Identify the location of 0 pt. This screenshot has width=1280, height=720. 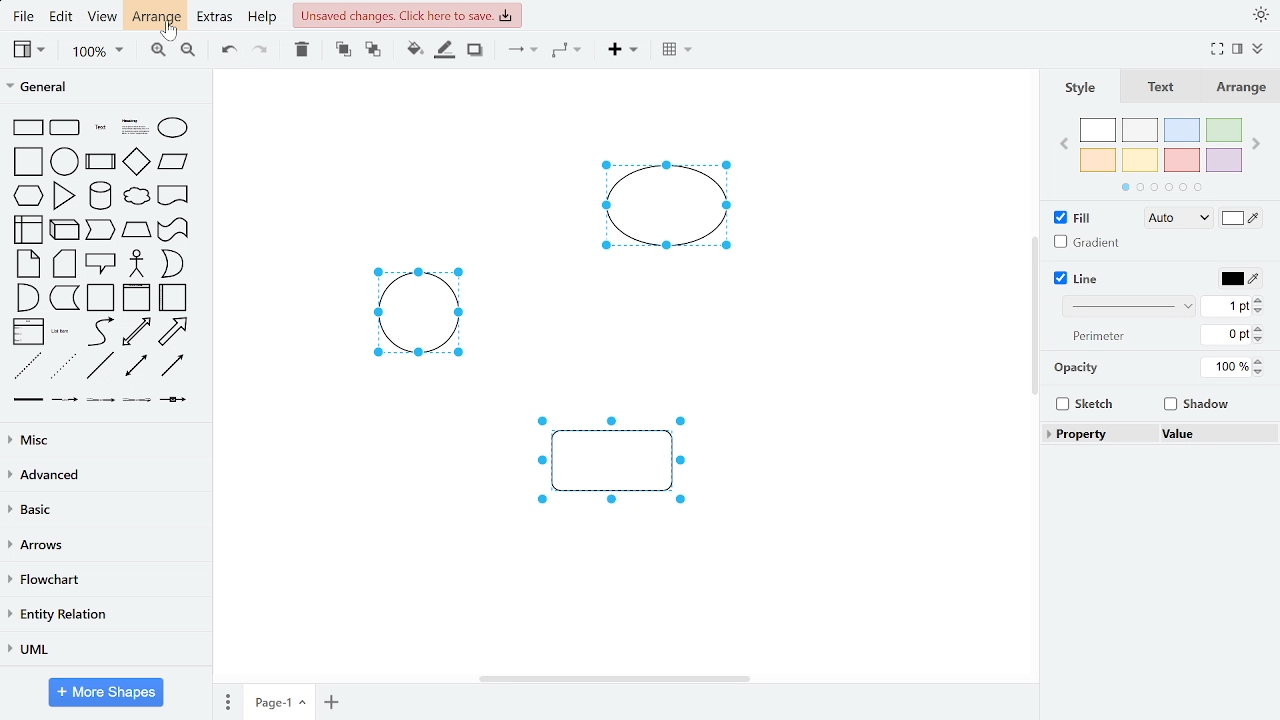
(1228, 334).